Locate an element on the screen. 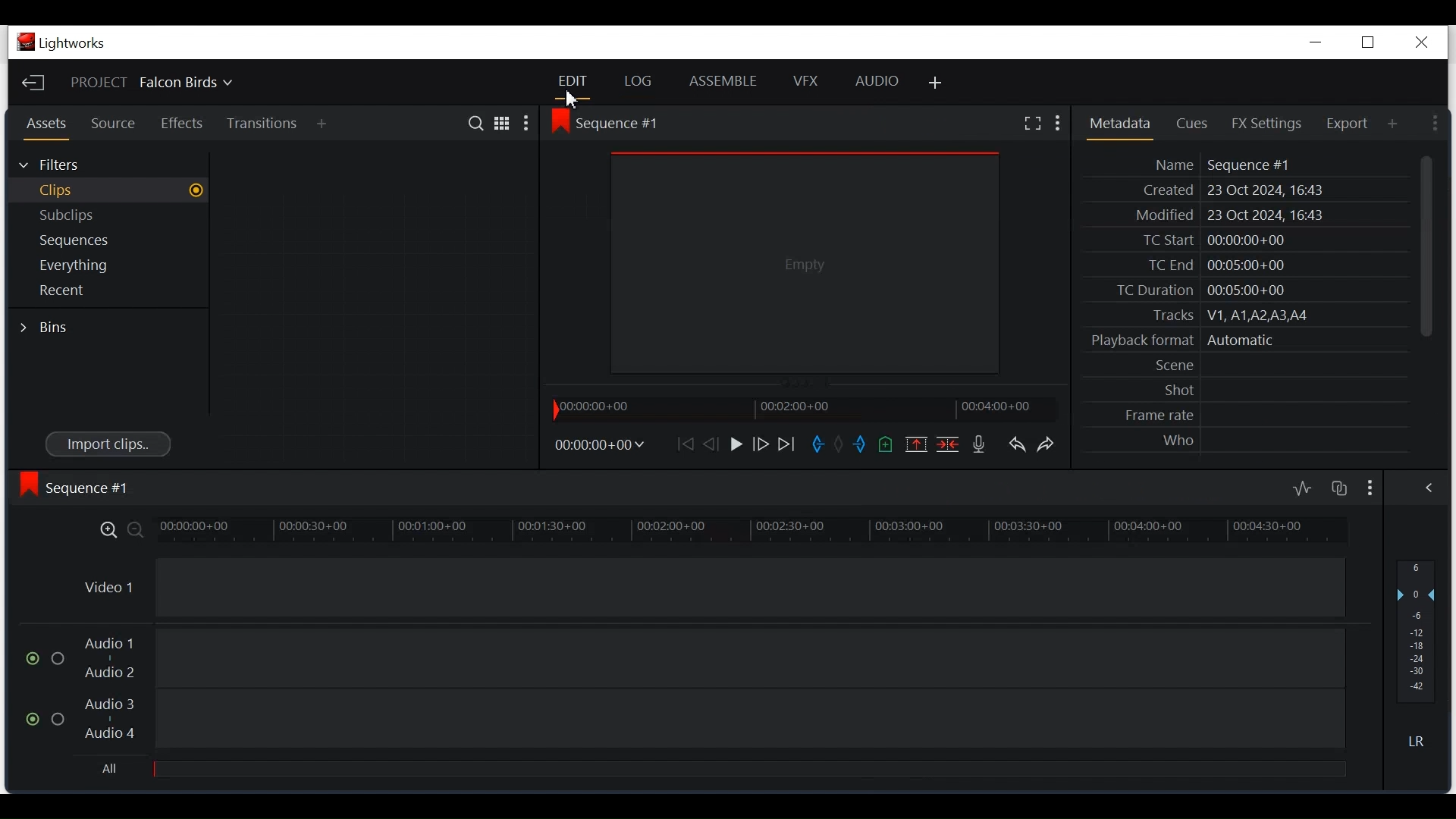 The image size is (1456, 819). Lightworks Desktop Icon is located at coordinates (62, 42).